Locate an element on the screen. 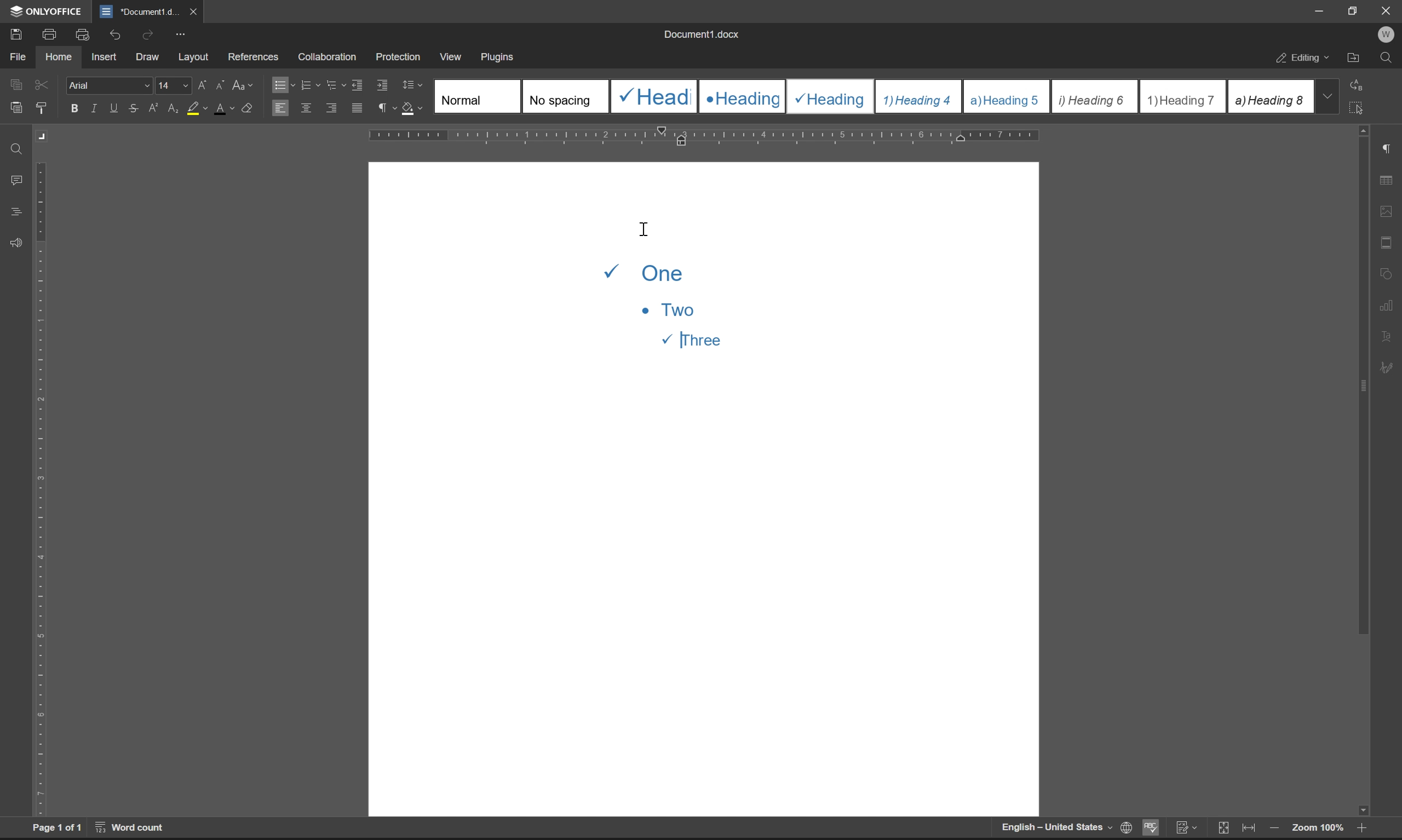 This screenshot has width=1402, height=840. text art settings is located at coordinates (1386, 336).